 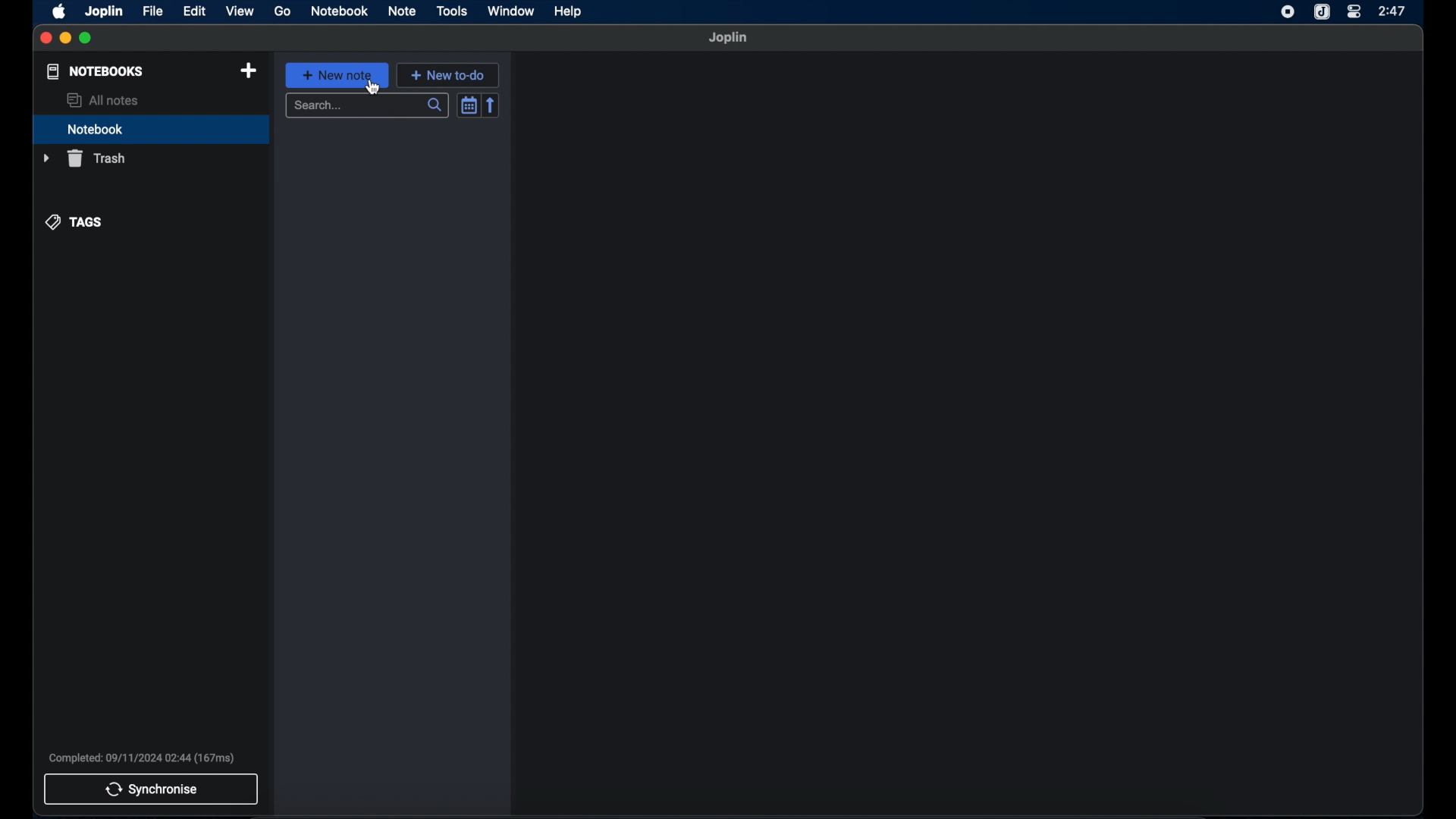 What do you see at coordinates (1322, 13) in the screenshot?
I see `joplin icon` at bounding box center [1322, 13].